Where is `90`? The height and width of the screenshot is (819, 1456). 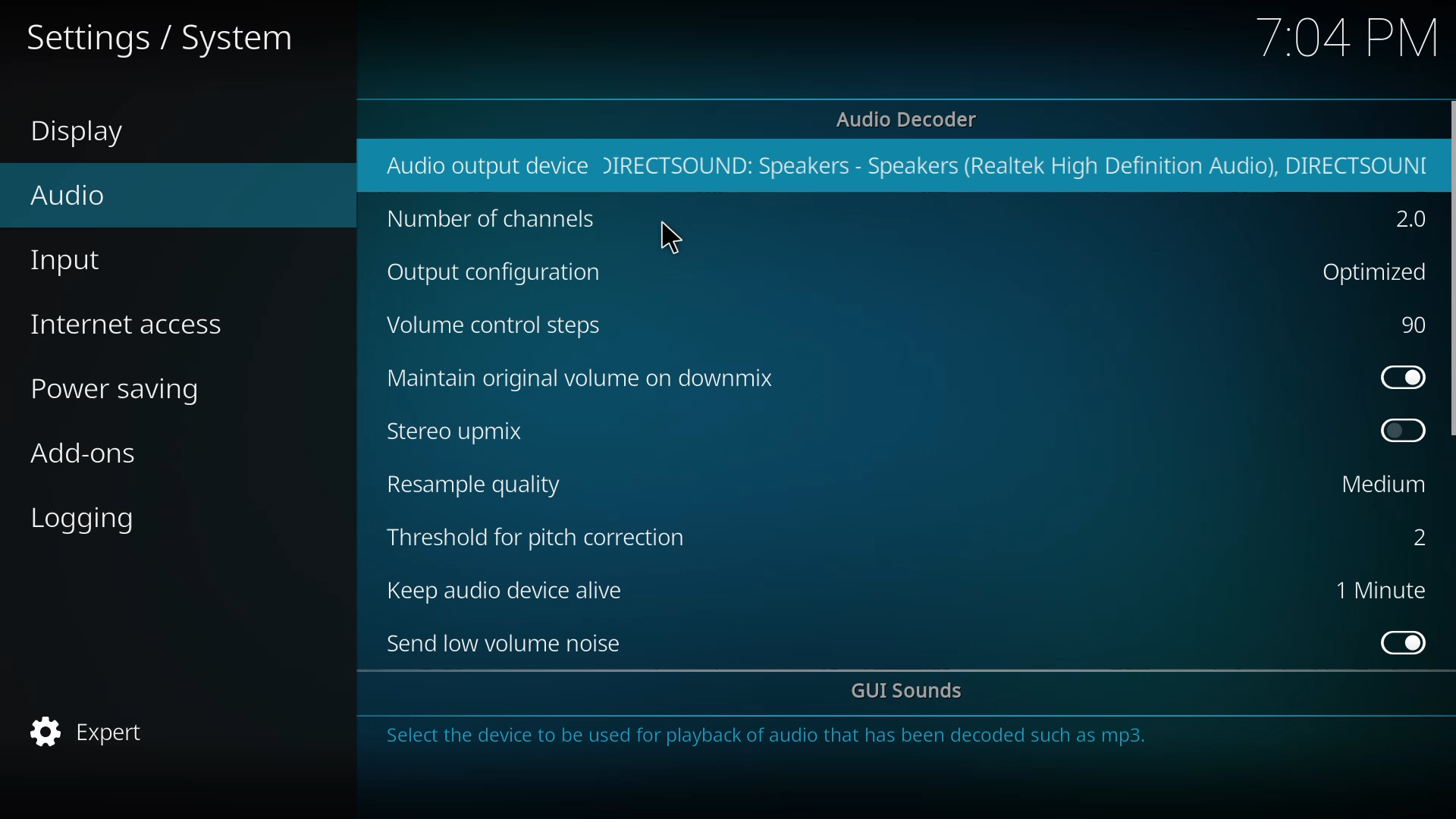 90 is located at coordinates (1416, 325).